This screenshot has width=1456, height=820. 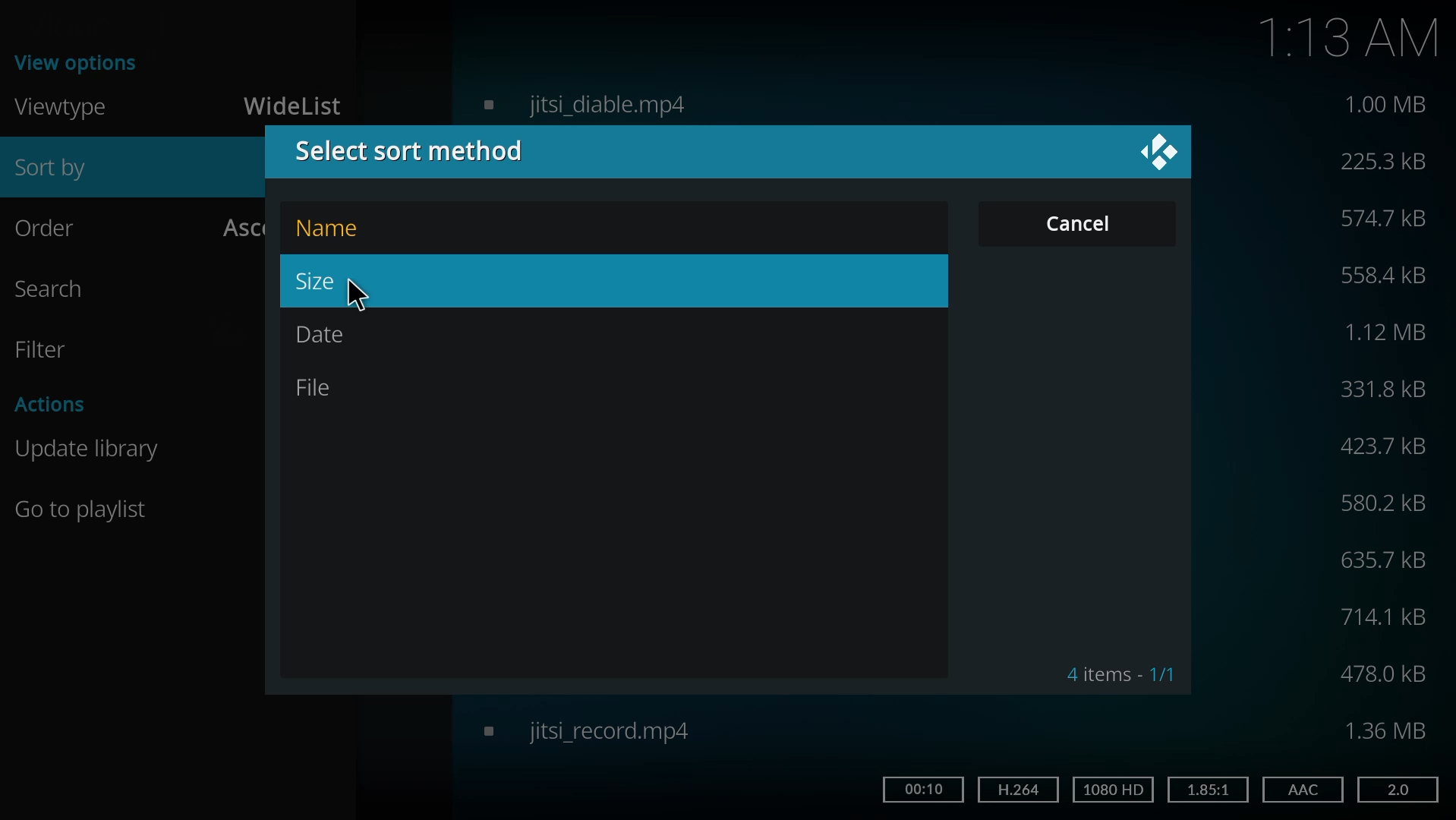 I want to click on filter, so click(x=46, y=347).